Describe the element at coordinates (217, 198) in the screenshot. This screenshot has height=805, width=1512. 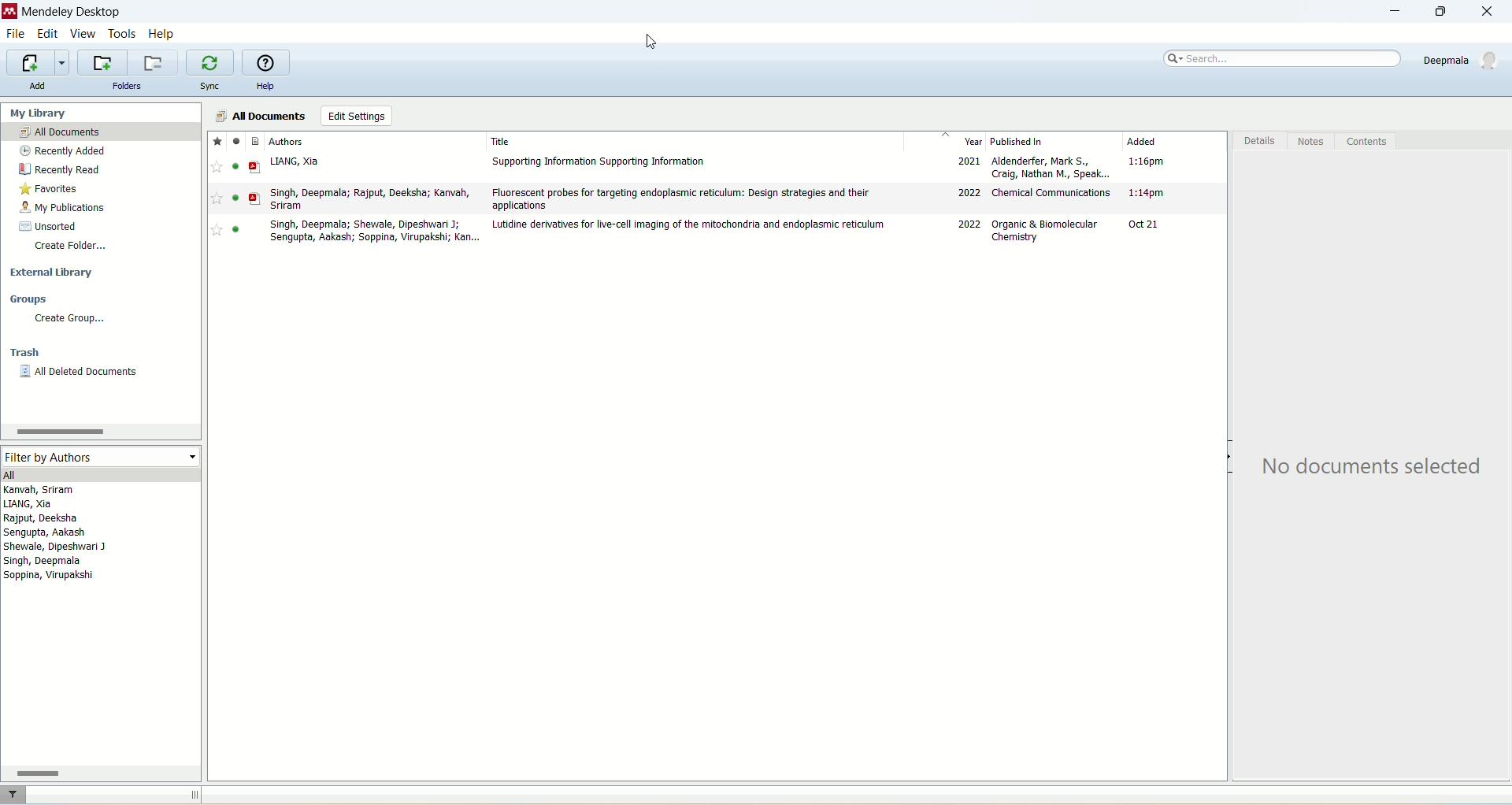
I see `Favourite` at that location.